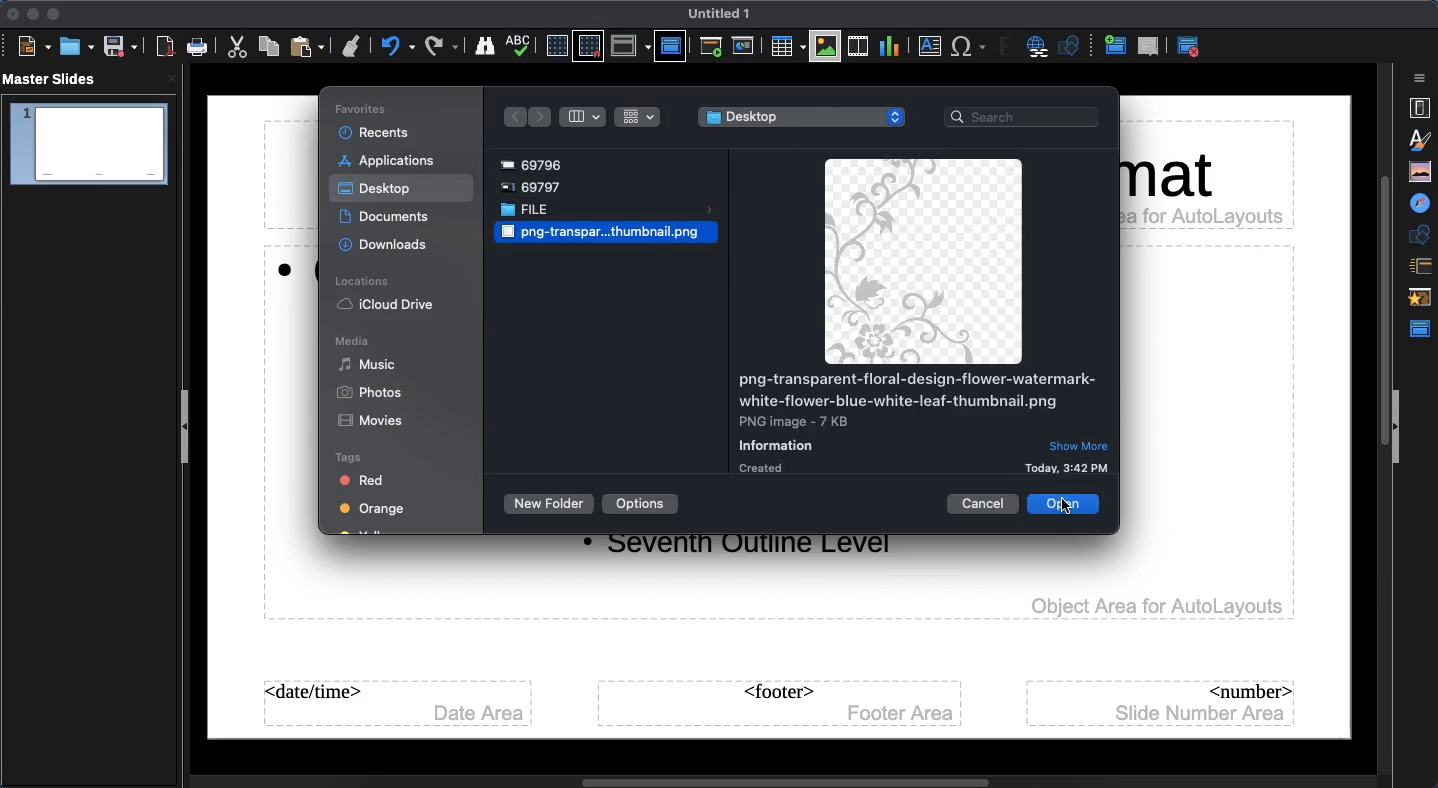 The height and width of the screenshot is (788, 1438). Describe the element at coordinates (34, 47) in the screenshot. I see `New` at that location.